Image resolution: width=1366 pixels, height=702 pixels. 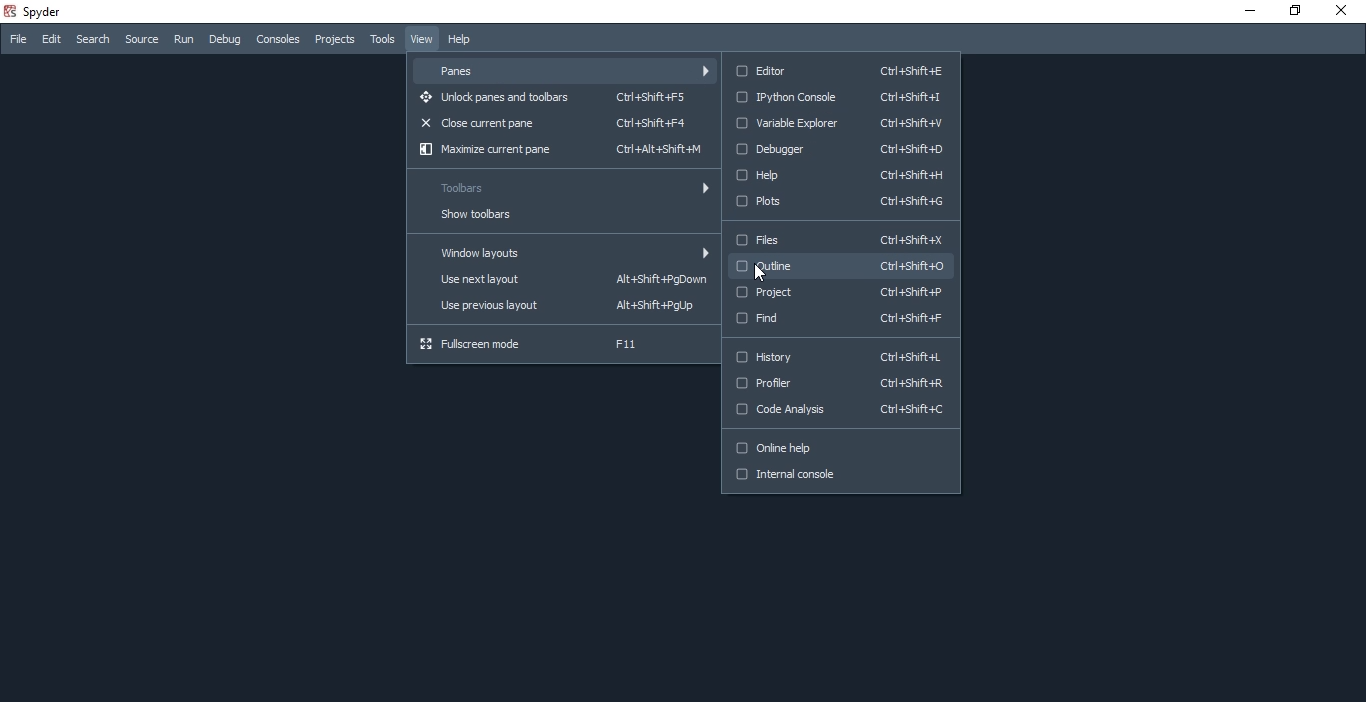 I want to click on Panes, so click(x=566, y=68).